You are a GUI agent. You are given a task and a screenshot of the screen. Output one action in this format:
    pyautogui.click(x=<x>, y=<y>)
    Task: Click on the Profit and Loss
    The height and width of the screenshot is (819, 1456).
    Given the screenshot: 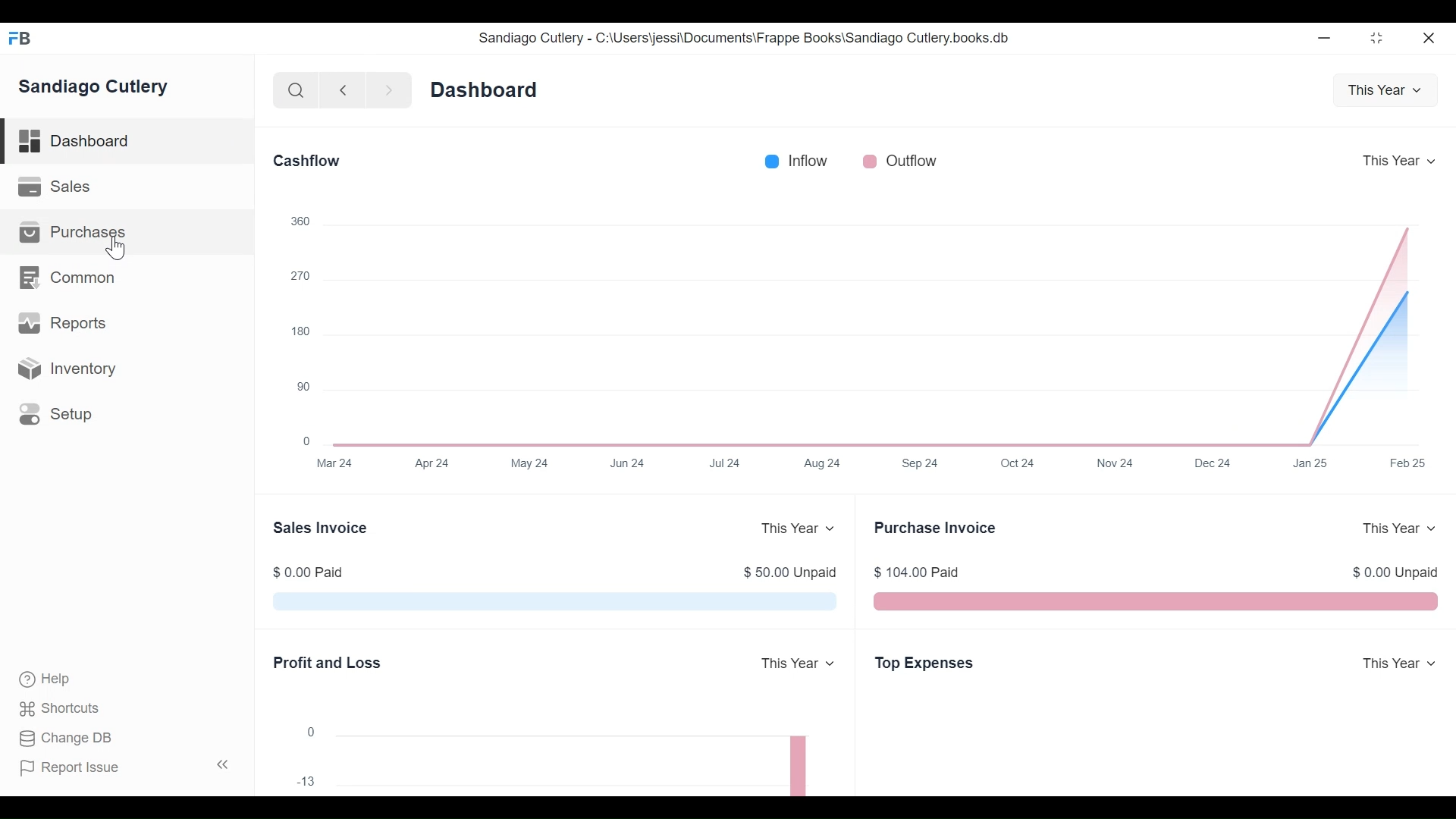 What is the action you would take?
    pyautogui.click(x=326, y=663)
    